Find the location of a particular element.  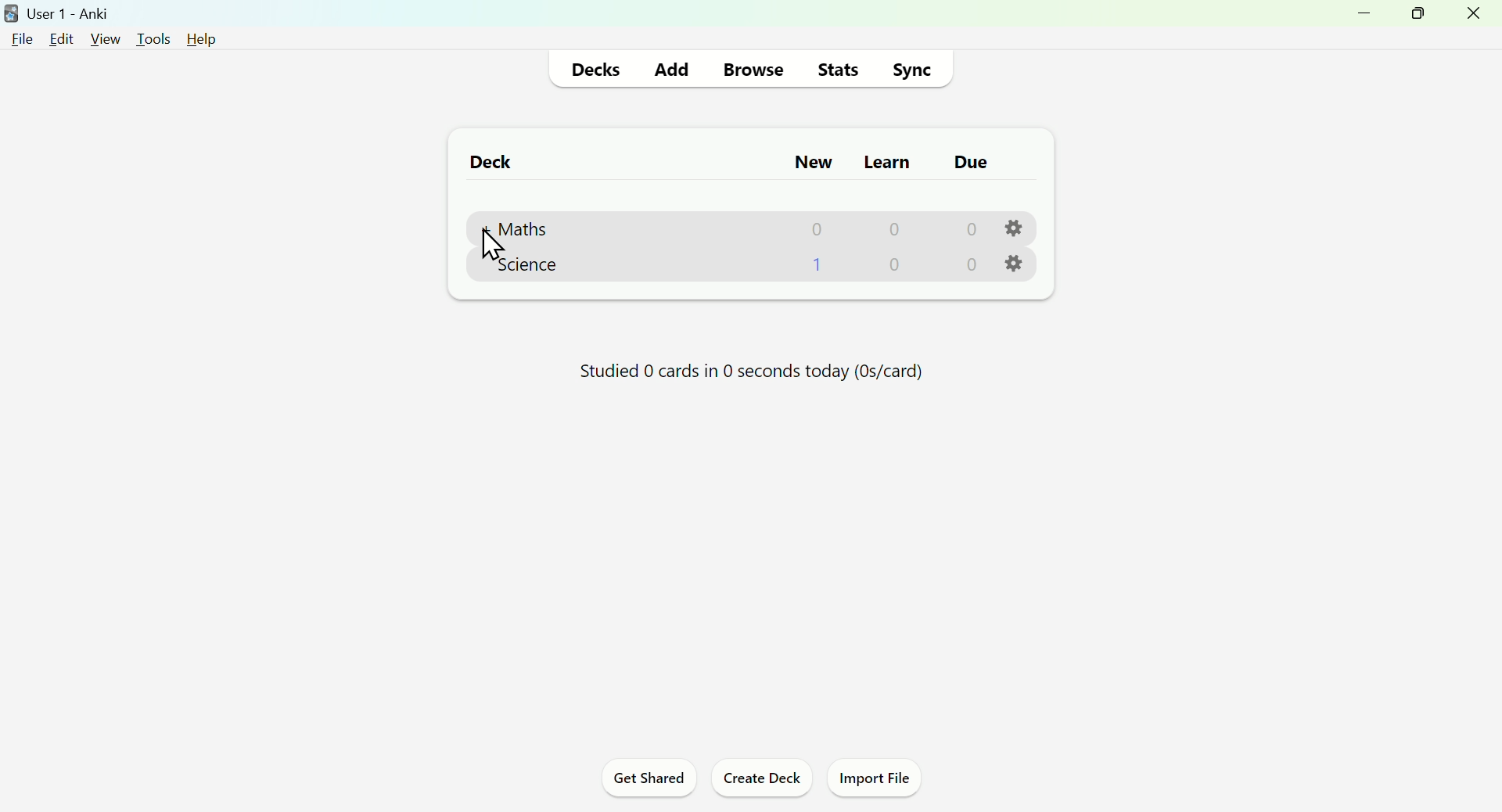

Get Shared is located at coordinates (643, 781).